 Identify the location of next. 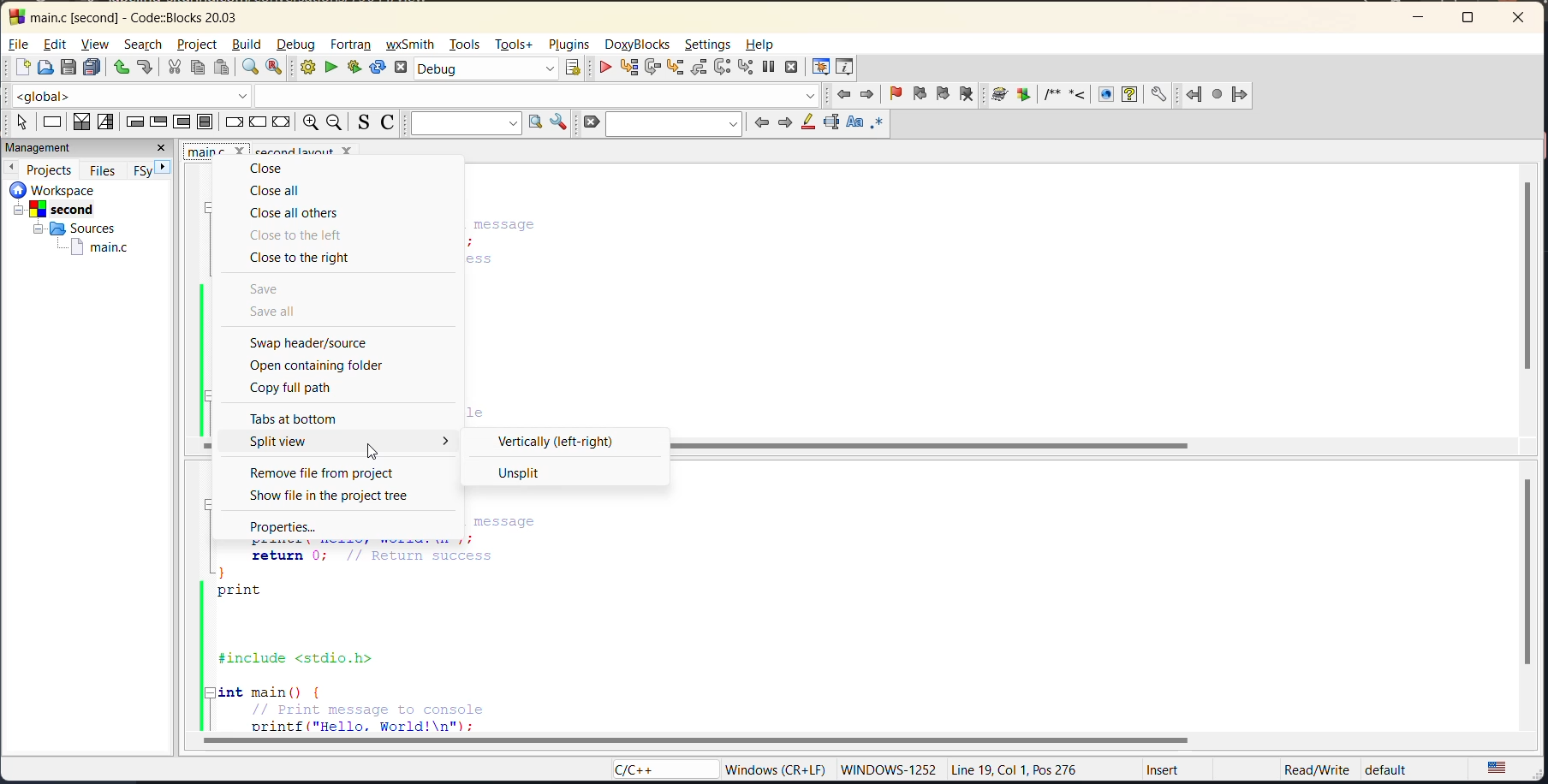
(783, 122).